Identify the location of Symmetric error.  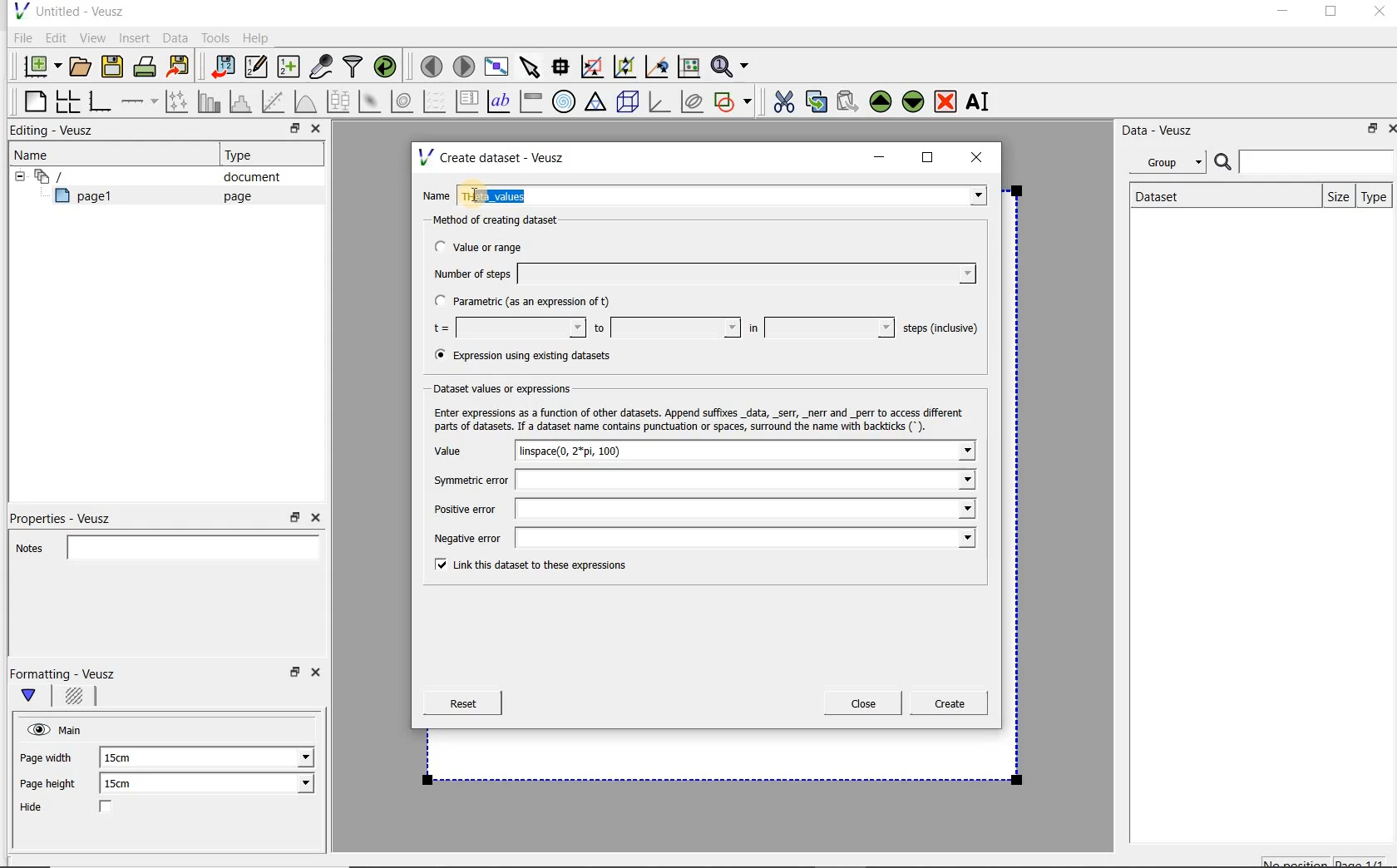
(698, 480).